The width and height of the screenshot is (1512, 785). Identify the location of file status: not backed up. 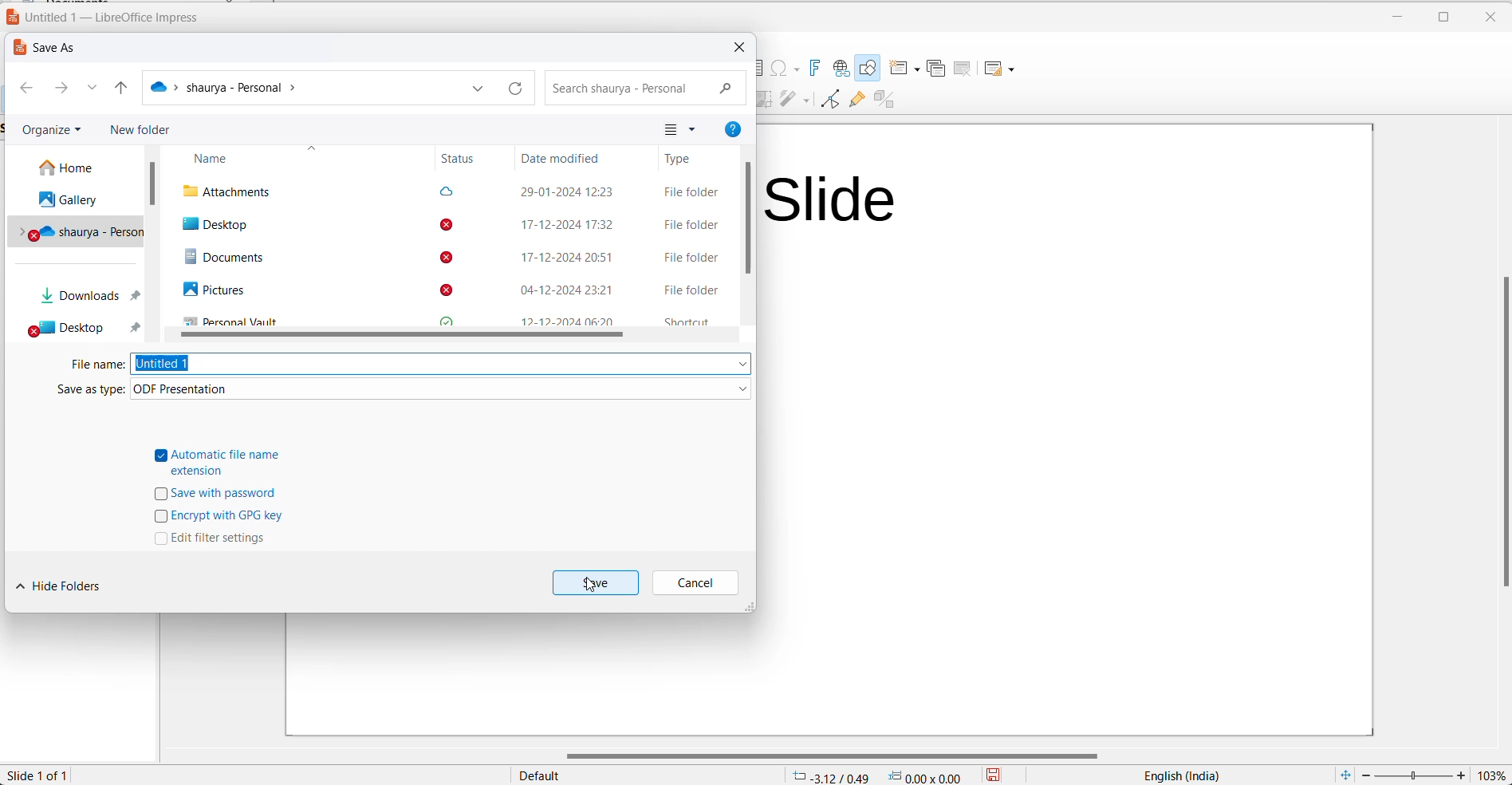
(448, 257).